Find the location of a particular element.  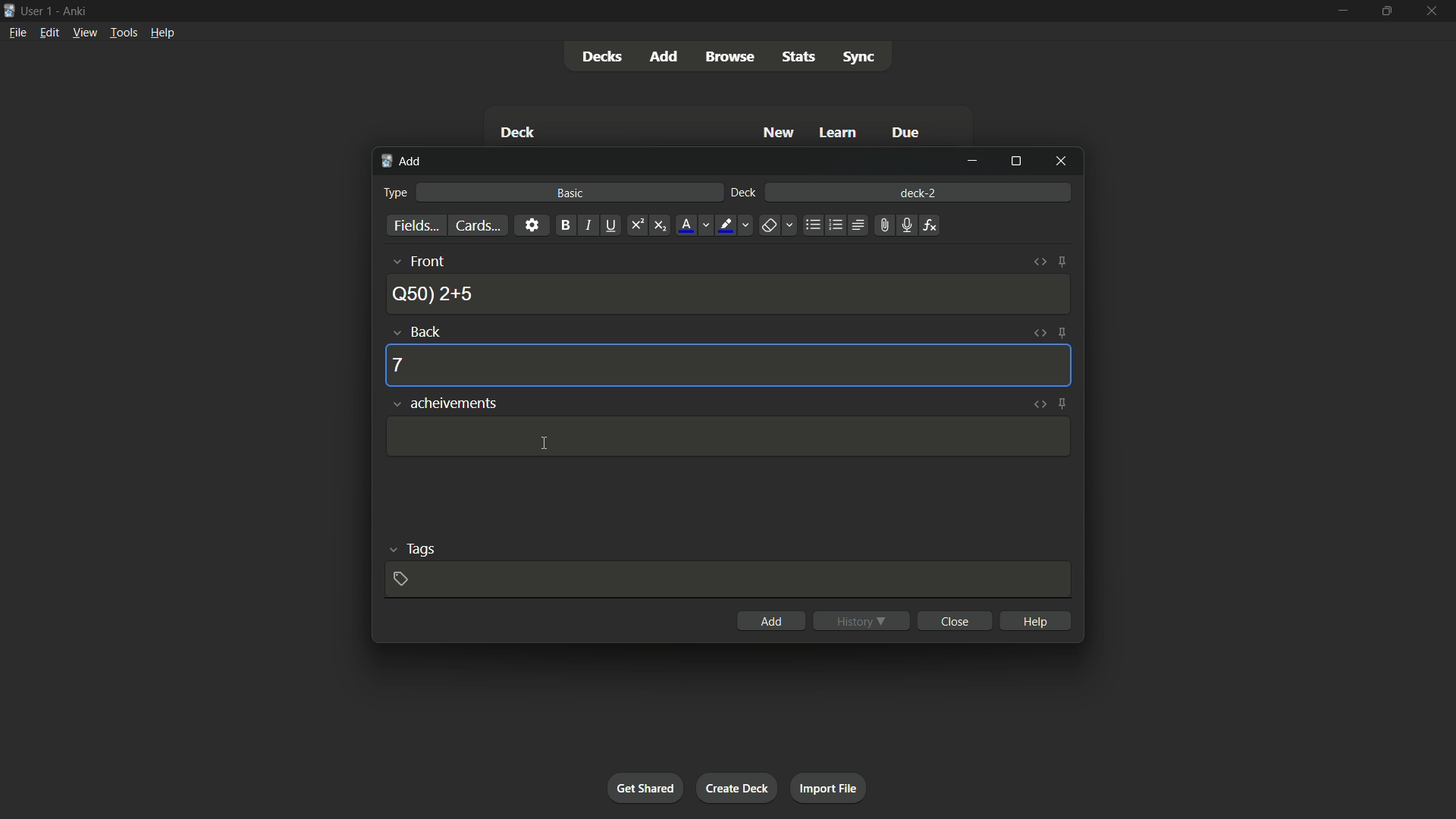

add is located at coordinates (662, 56).